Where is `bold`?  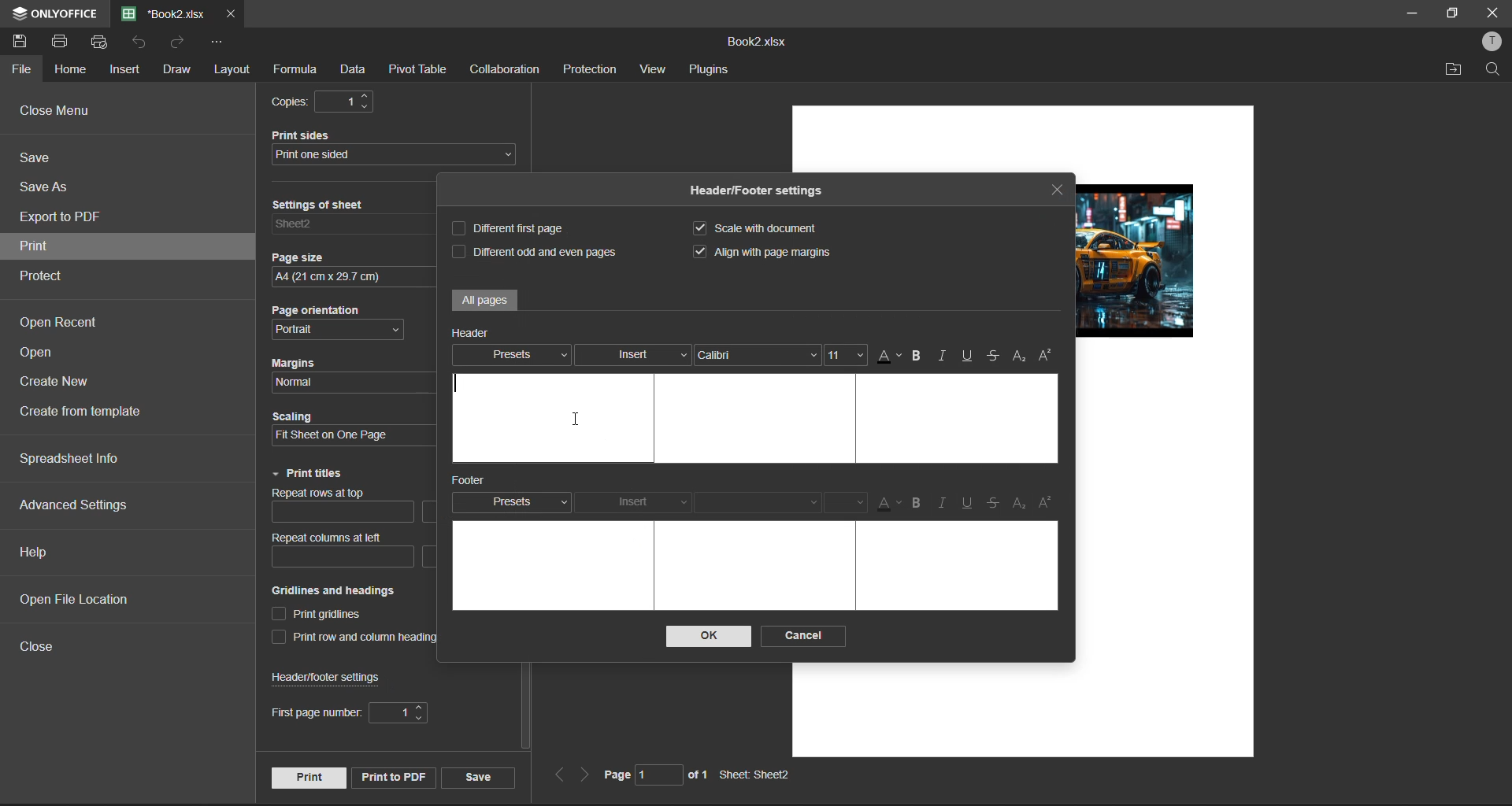
bold is located at coordinates (917, 357).